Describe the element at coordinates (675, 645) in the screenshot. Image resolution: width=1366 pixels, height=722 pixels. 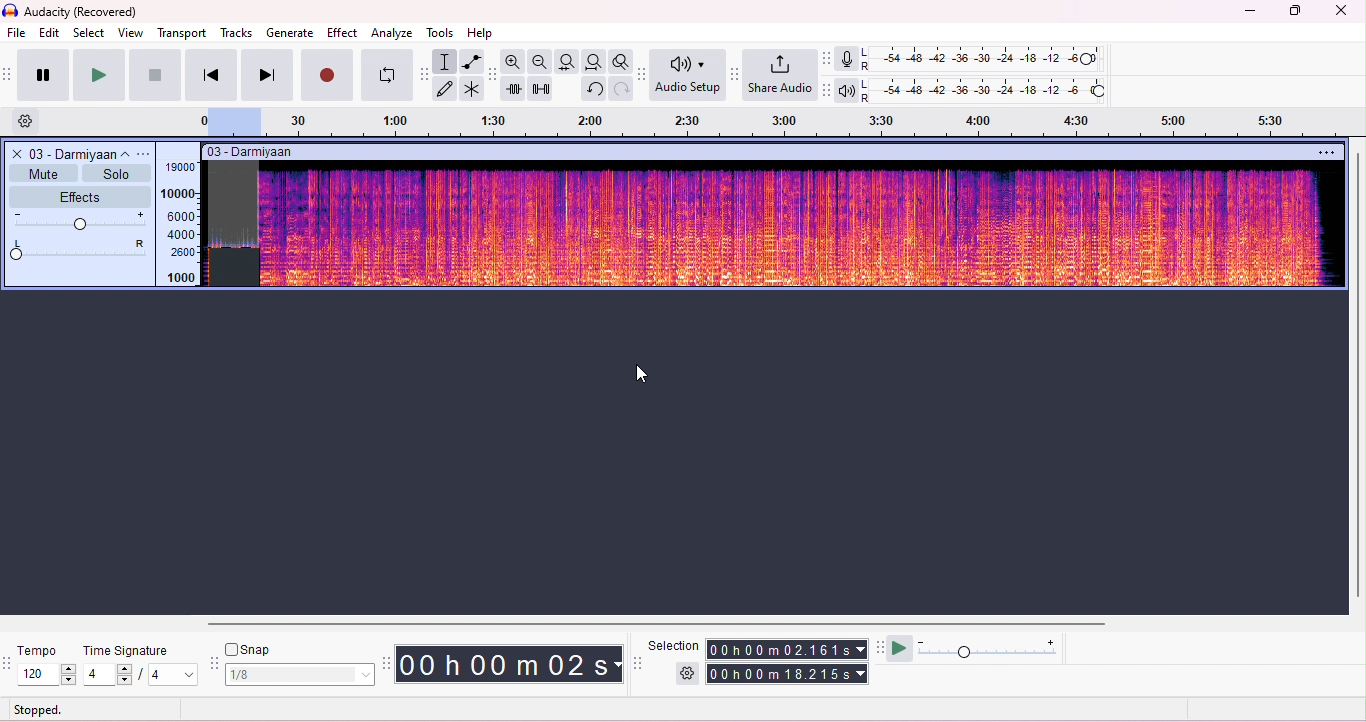
I see `selection` at that location.